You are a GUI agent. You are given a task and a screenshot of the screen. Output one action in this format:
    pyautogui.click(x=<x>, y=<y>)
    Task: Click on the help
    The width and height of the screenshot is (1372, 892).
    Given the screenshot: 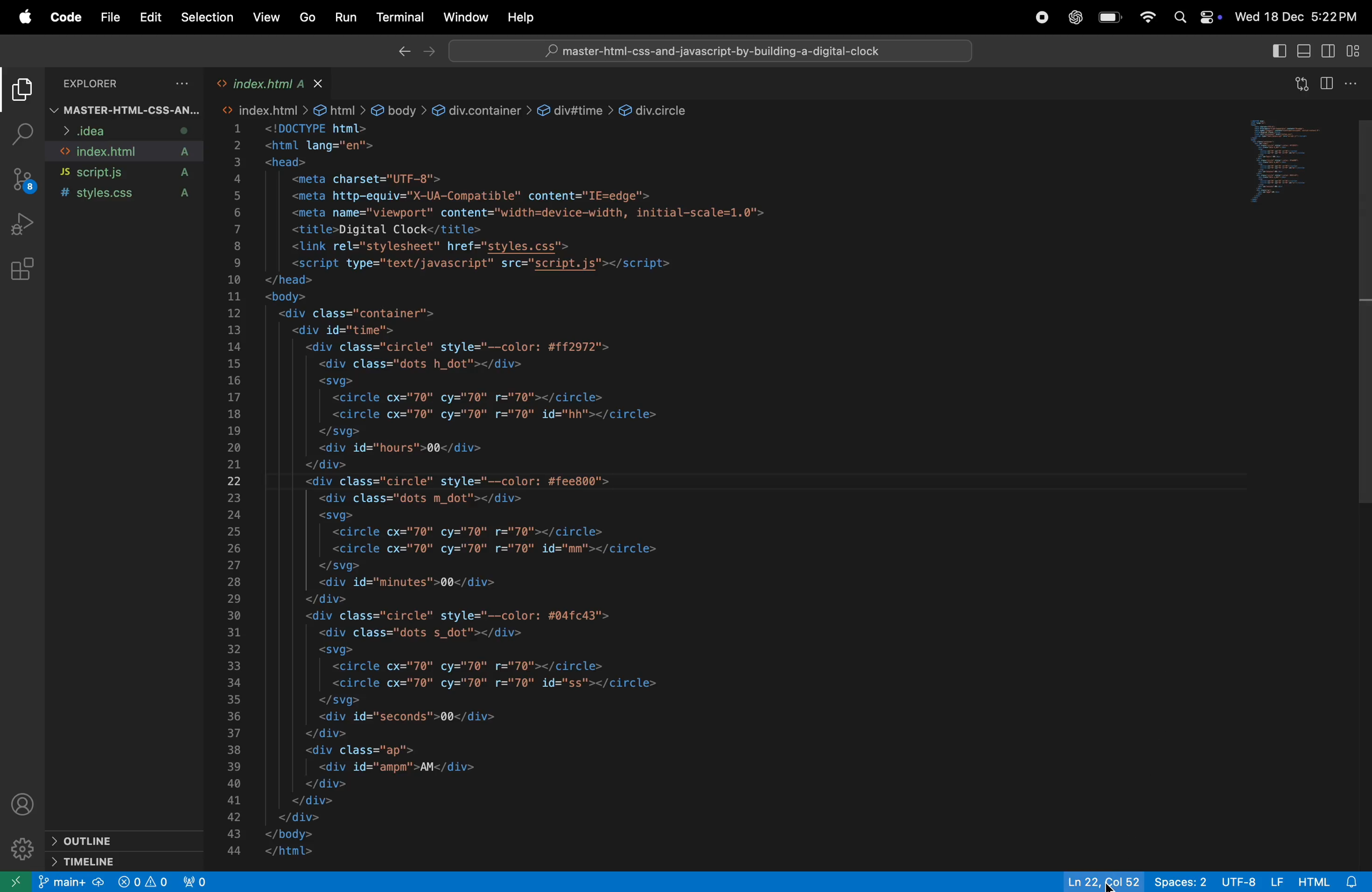 What is the action you would take?
    pyautogui.click(x=522, y=17)
    